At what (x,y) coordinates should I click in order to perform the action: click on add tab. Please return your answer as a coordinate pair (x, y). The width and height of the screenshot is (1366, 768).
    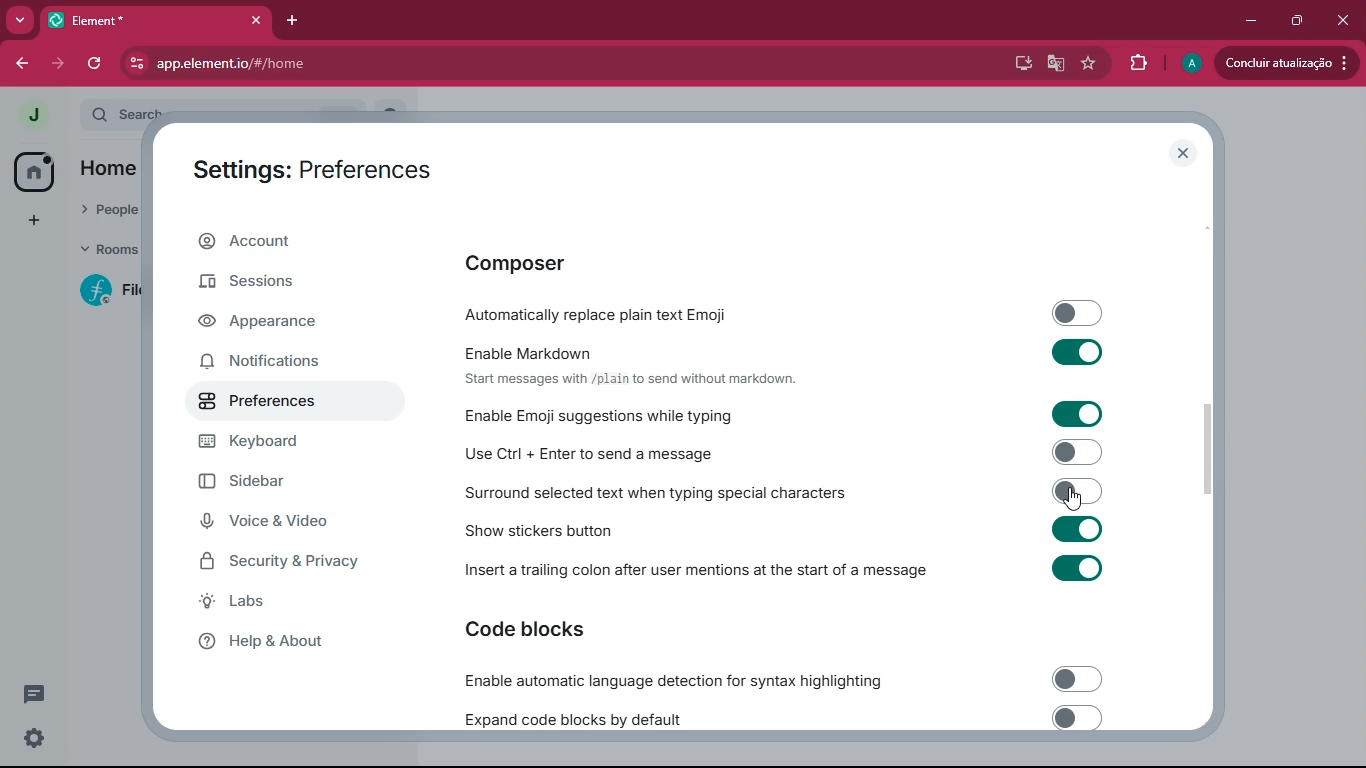
    Looking at the image, I should click on (296, 21).